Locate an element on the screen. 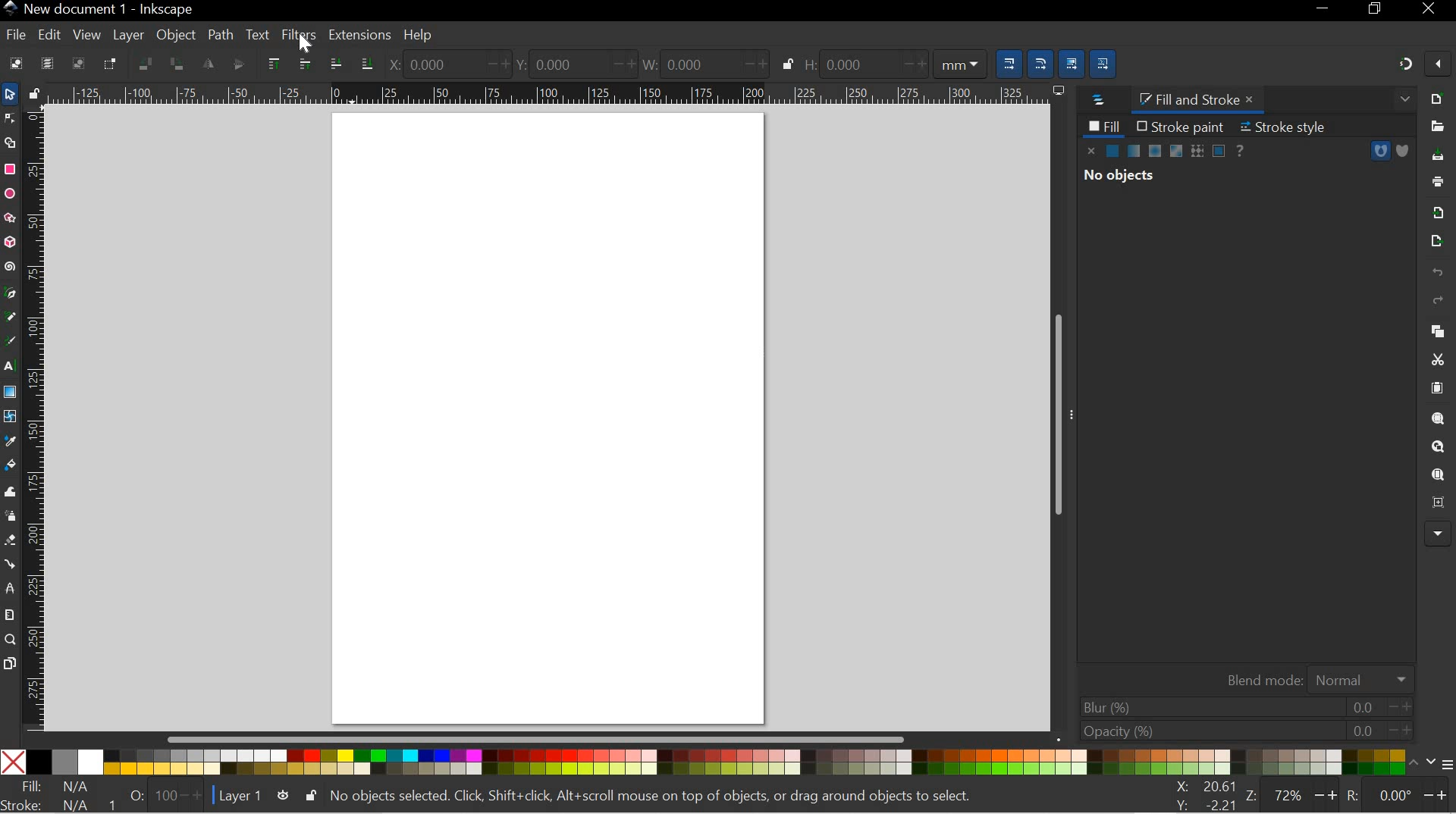 The height and width of the screenshot is (814, 1456). FIT is located at coordinates (56, 787).